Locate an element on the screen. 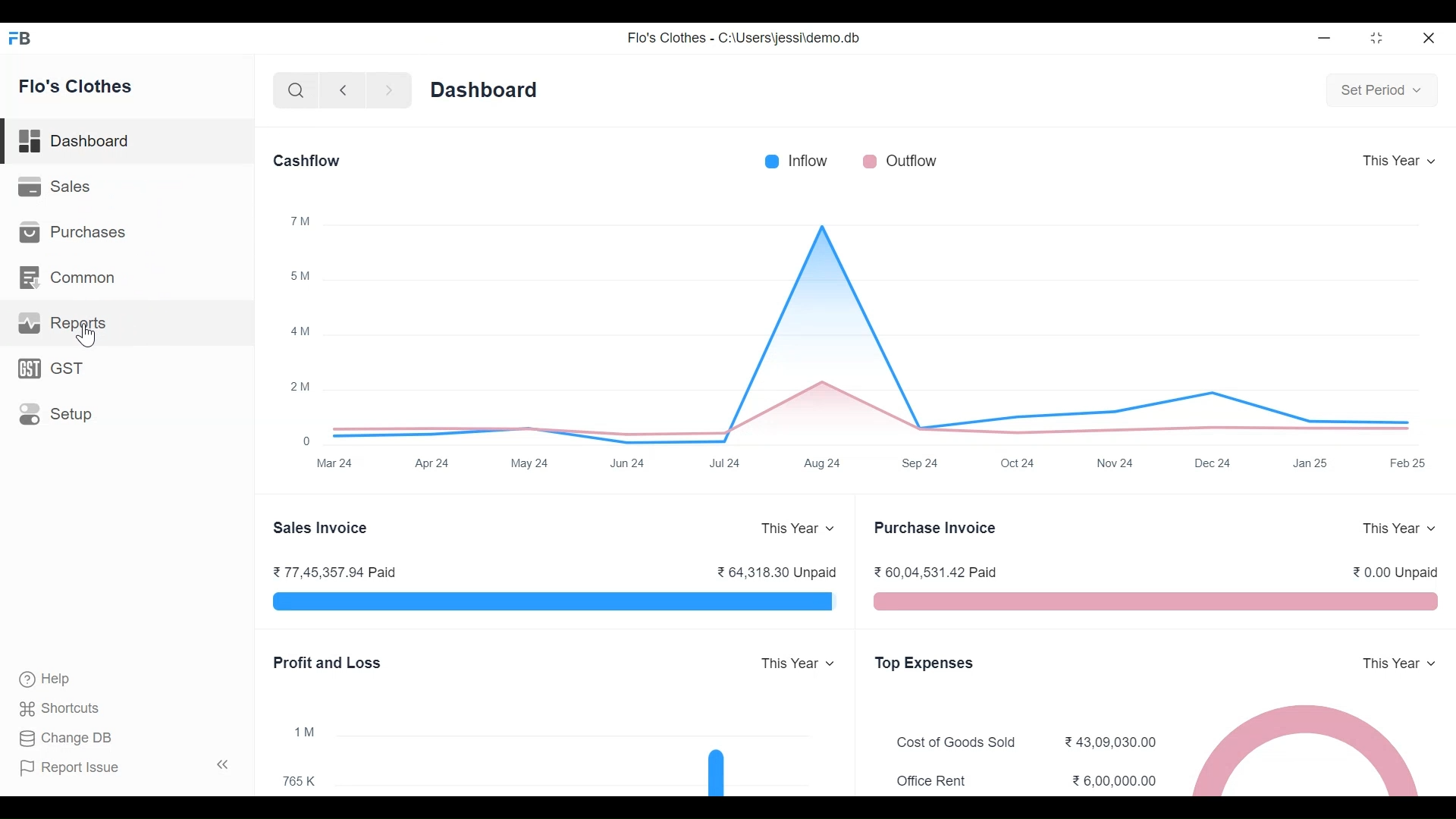 This screenshot has width=1456, height=819. 5M is located at coordinates (300, 276).